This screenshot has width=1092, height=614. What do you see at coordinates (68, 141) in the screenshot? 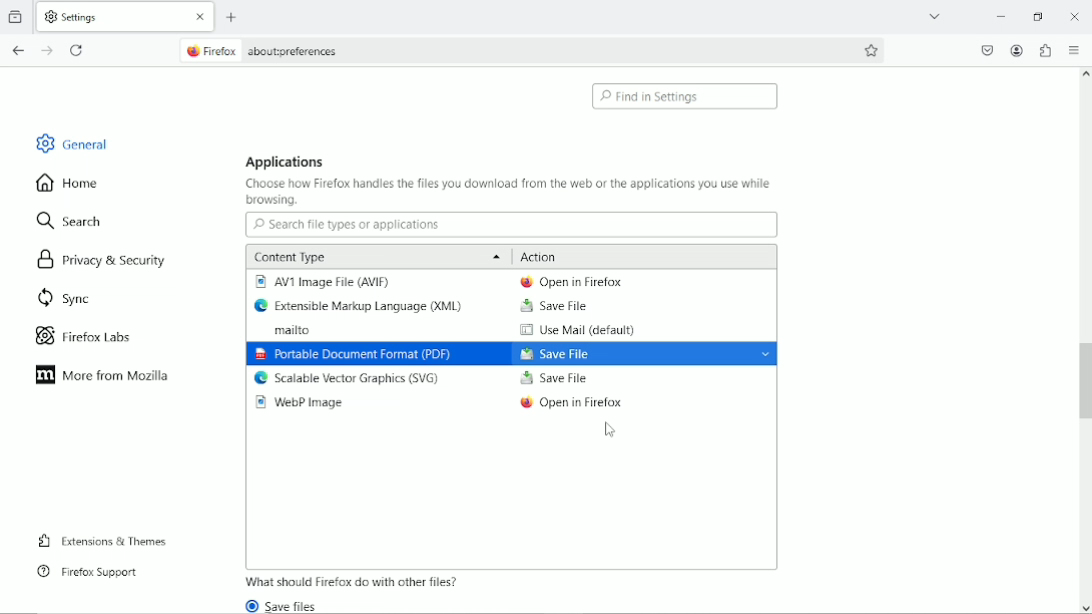
I see `General` at bounding box center [68, 141].